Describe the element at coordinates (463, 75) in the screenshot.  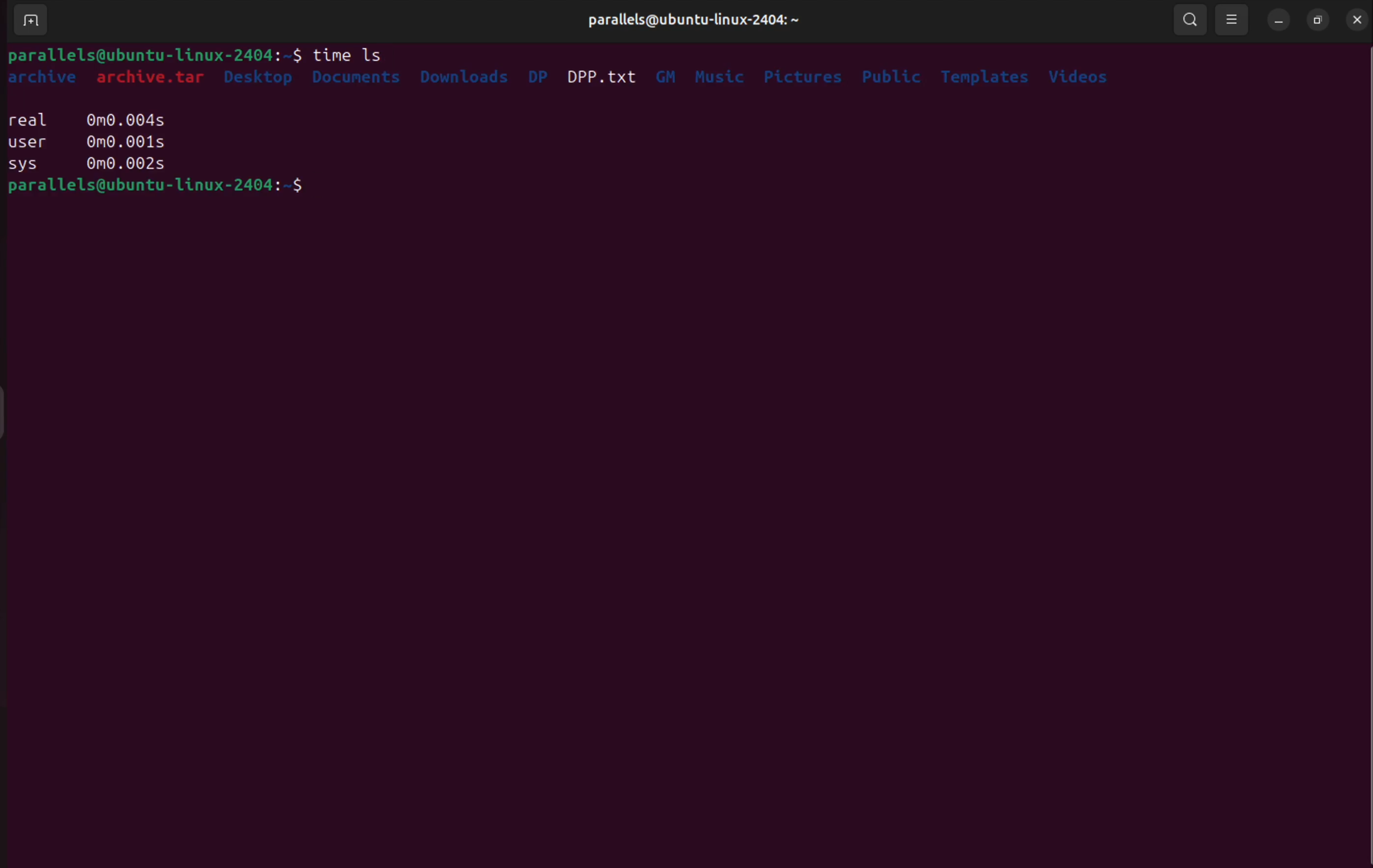
I see `Downloads` at that location.